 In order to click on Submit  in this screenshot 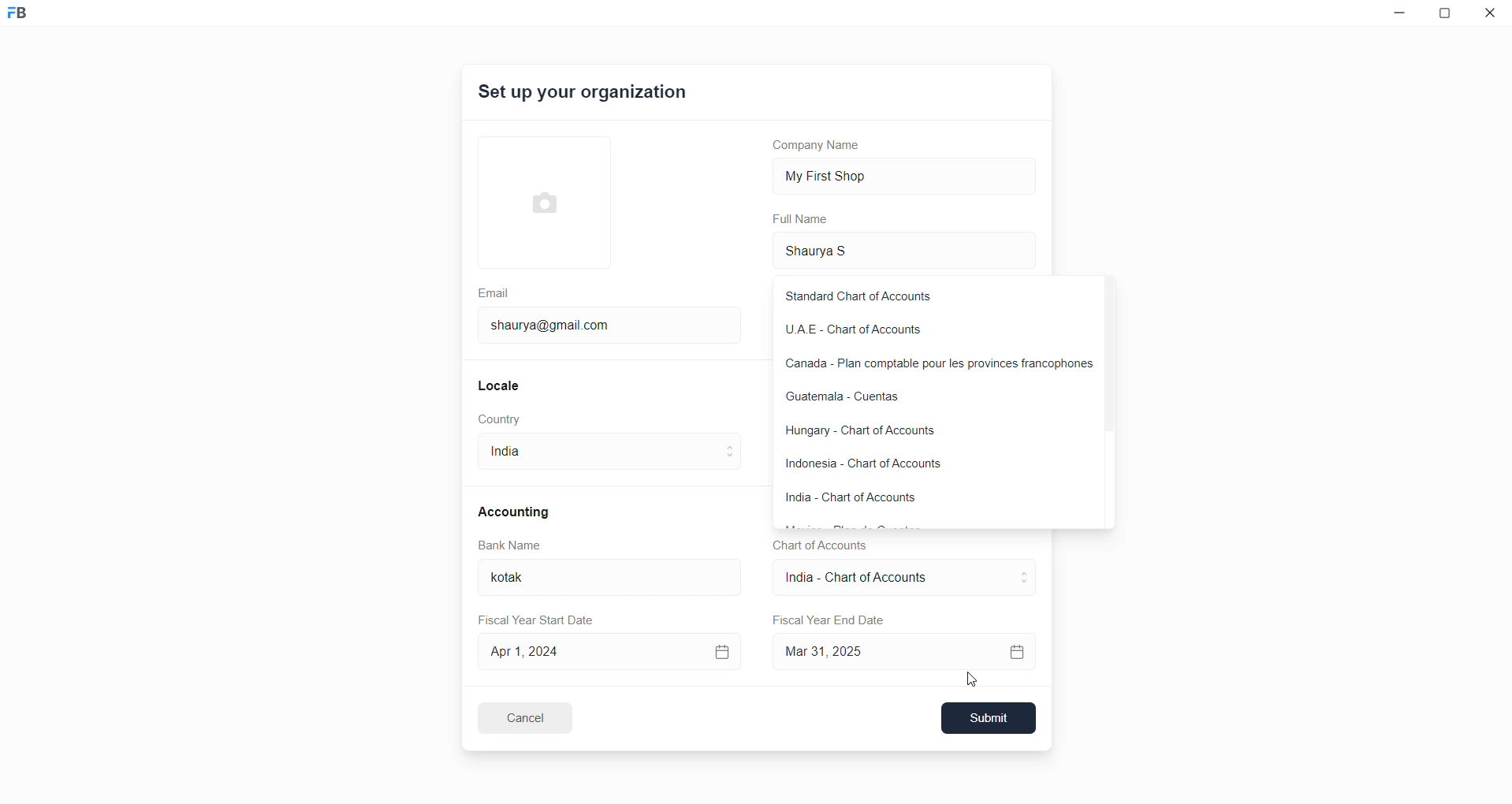, I will do `click(990, 718)`.